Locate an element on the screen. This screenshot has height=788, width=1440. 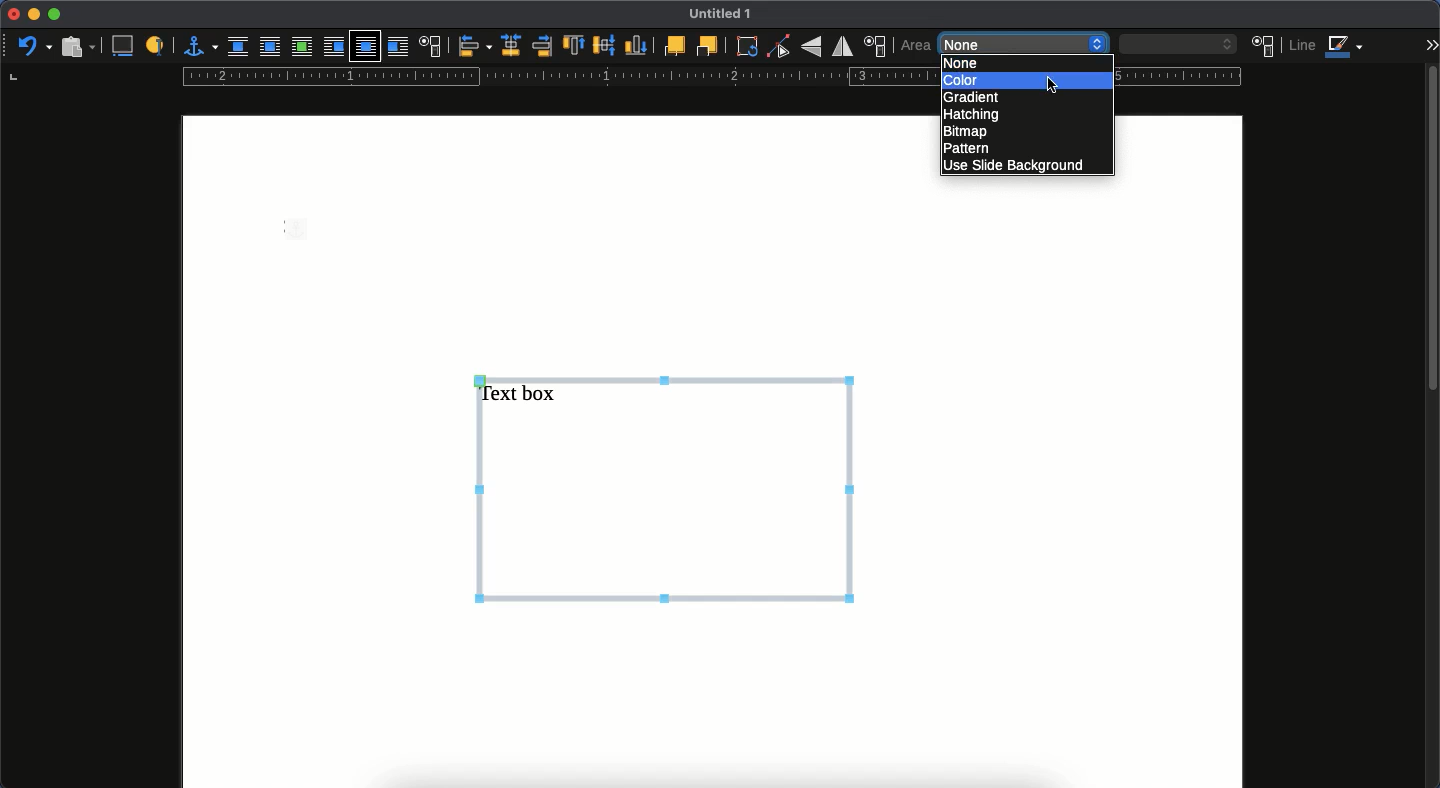
rotate horizontally  is located at coordinates (843, 46).